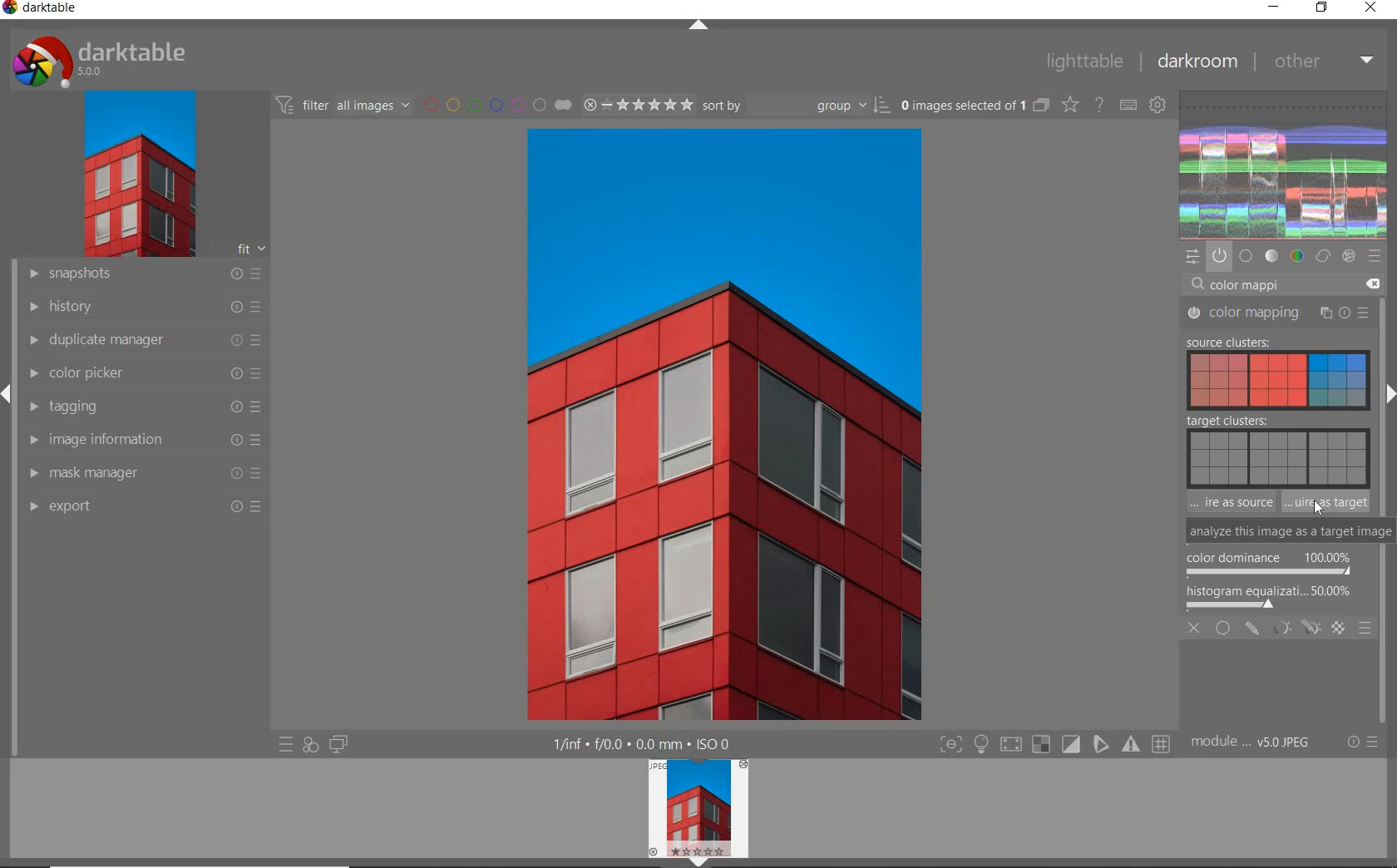 This screenshot has width=1397, height=868. I want to click on mask manager, so click(146, 474).